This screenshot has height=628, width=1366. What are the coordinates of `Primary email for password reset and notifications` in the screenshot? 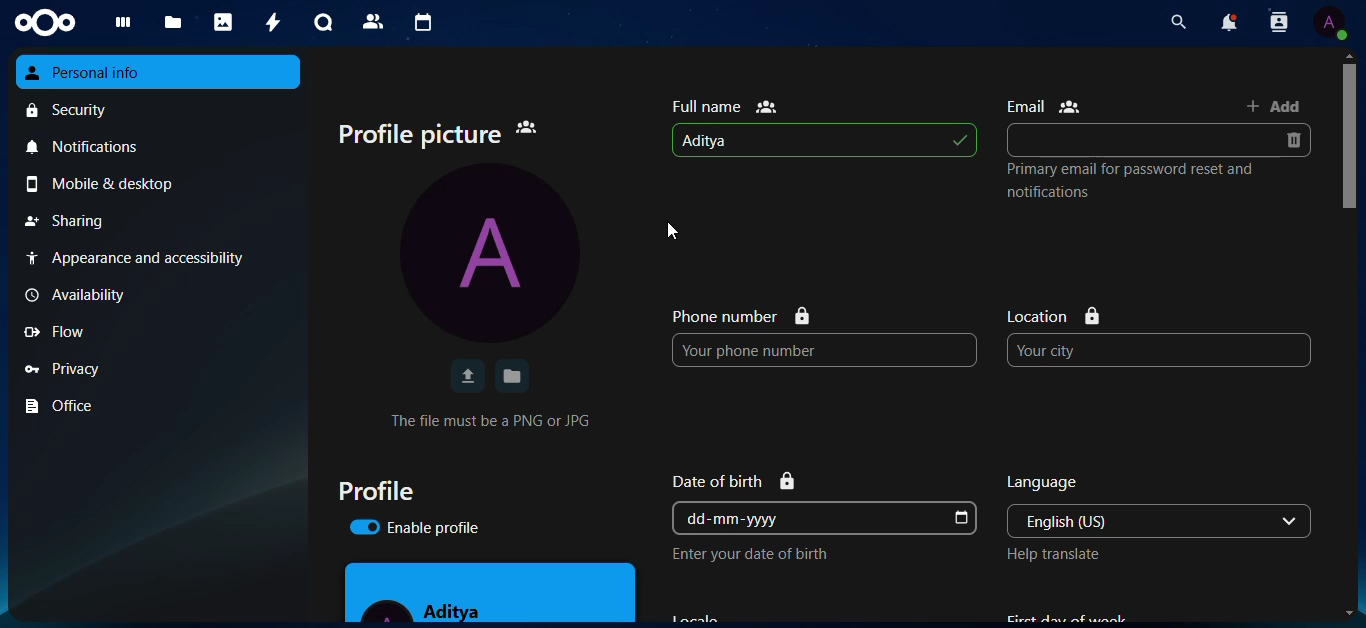 It's located at (1131, 180).